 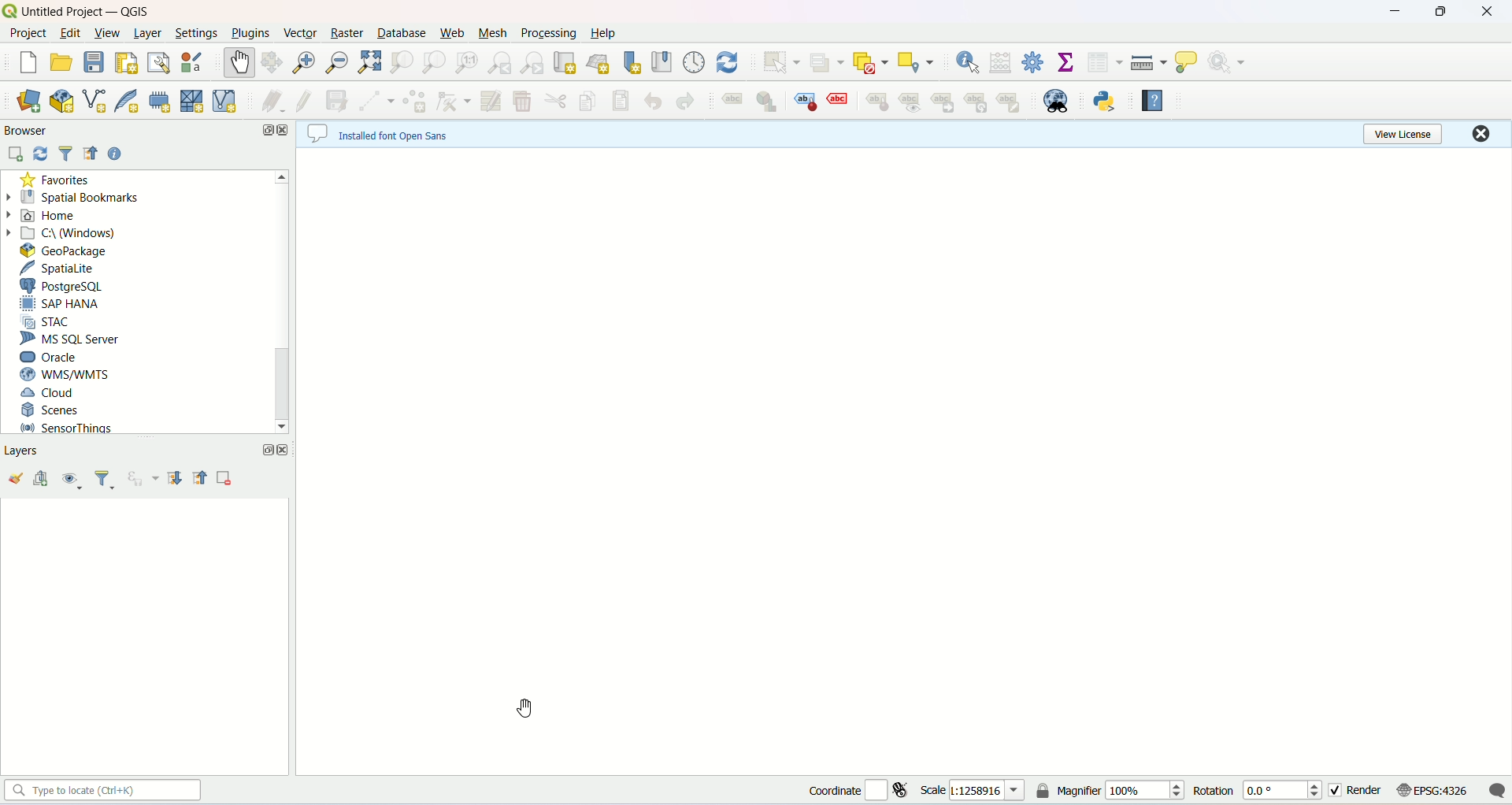 I want to click on highlight pinned labels, diagrams and callouts, so click(x=802, y=99).